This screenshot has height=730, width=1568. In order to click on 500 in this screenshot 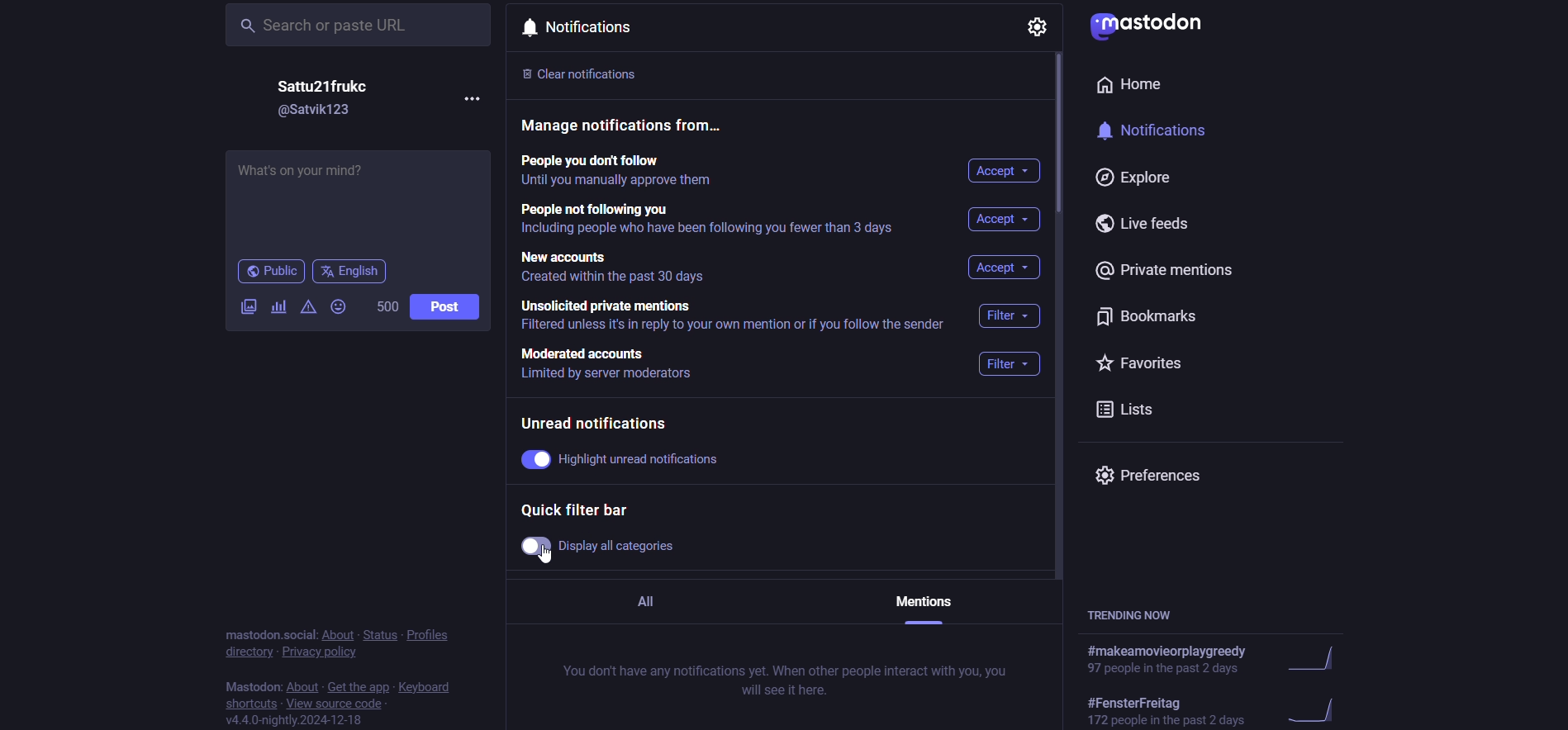, I will do `click(388, 305)`.